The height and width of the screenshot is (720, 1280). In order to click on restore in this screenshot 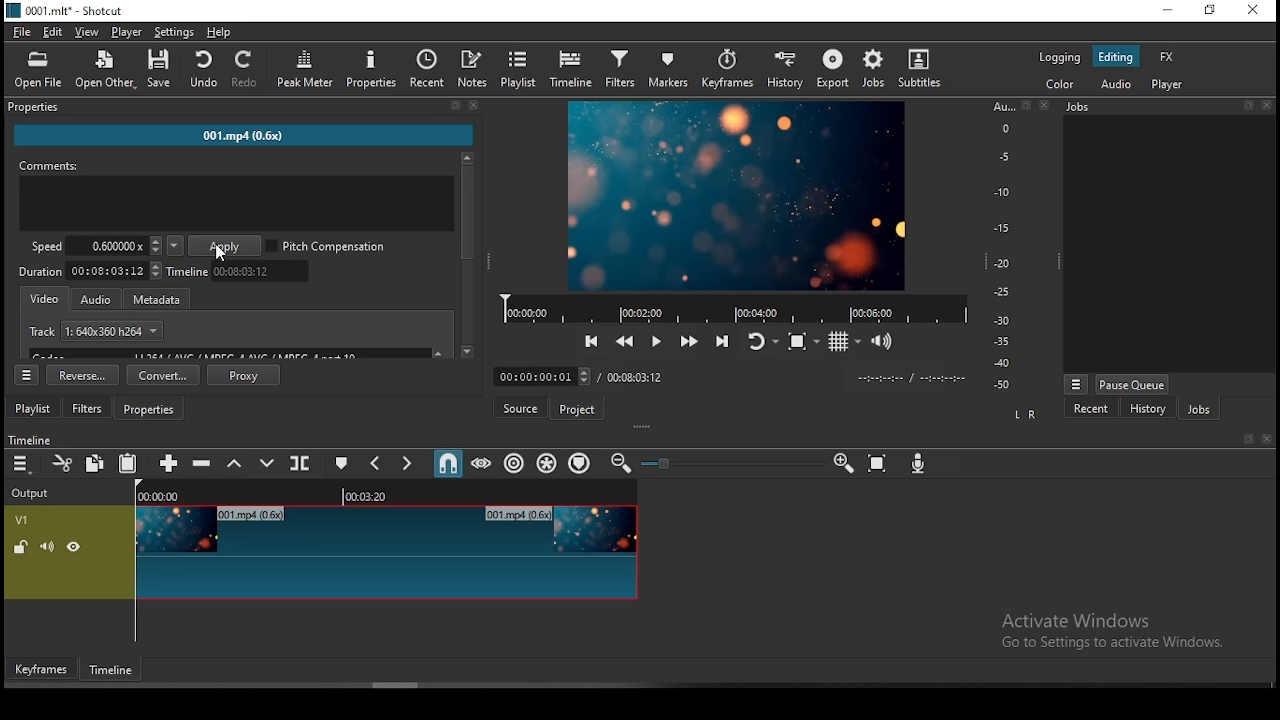, I will do `click(1213, 10)`.